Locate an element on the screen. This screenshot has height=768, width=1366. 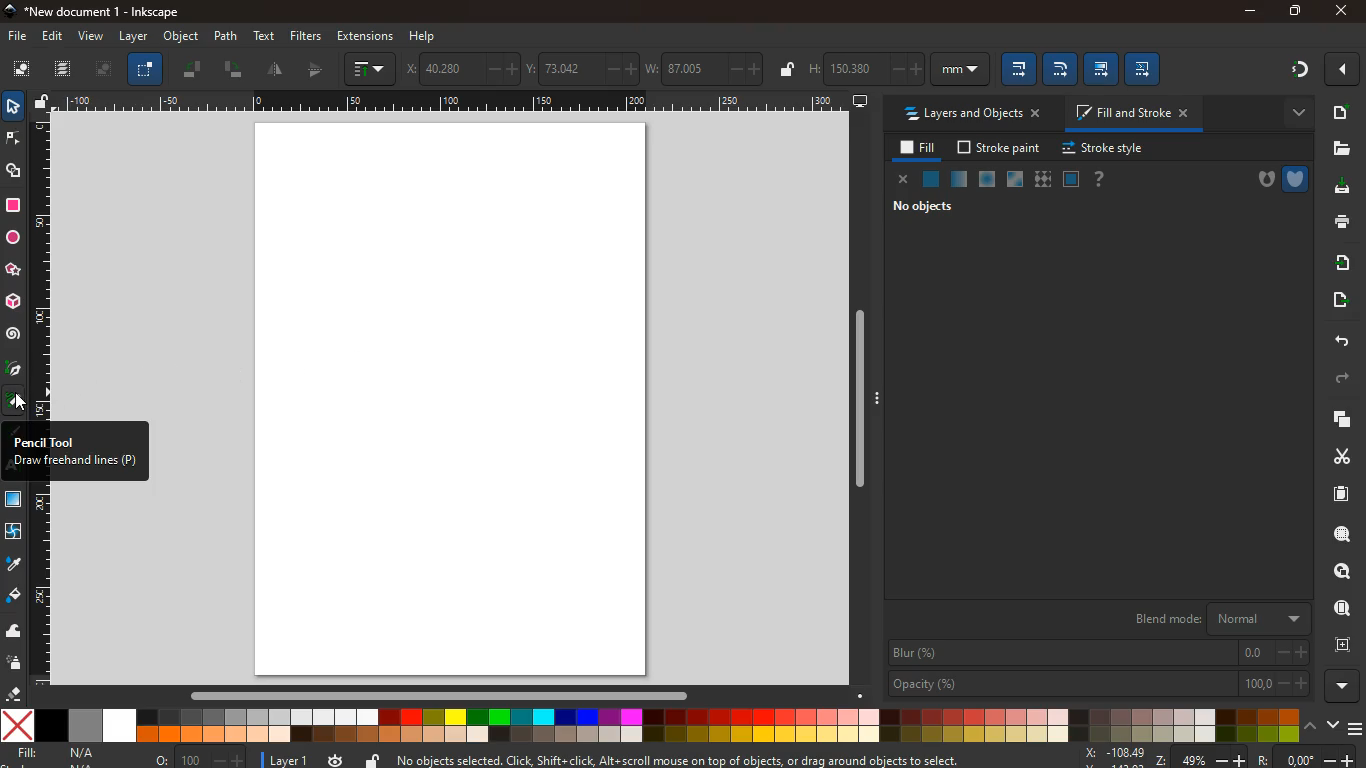
send is located at coordinates (1343, 302).